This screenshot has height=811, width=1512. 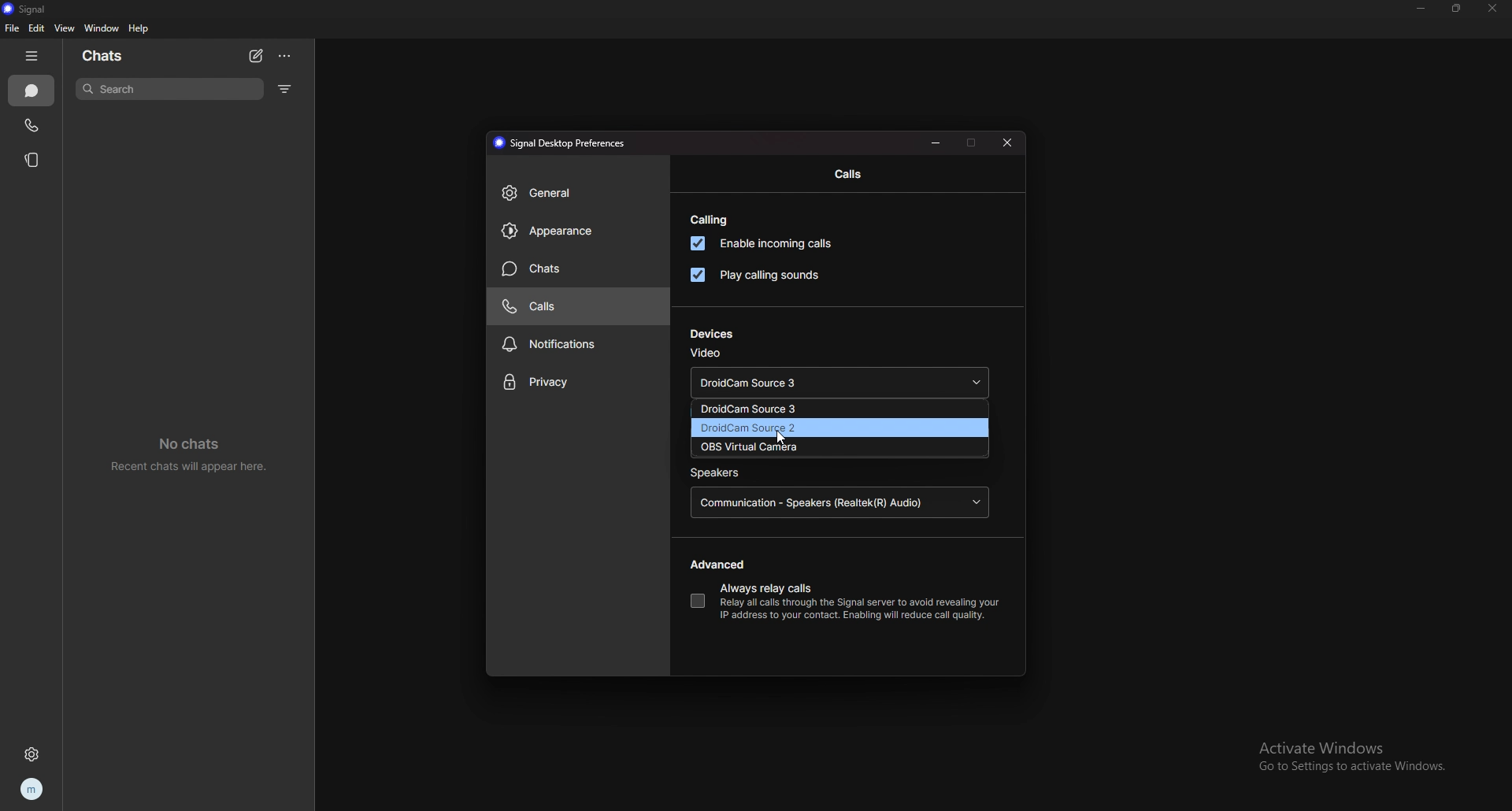 What do you see at coordinates (972, 142) in the screenshot?
I see `maximize` at bounding box center [972, 142].